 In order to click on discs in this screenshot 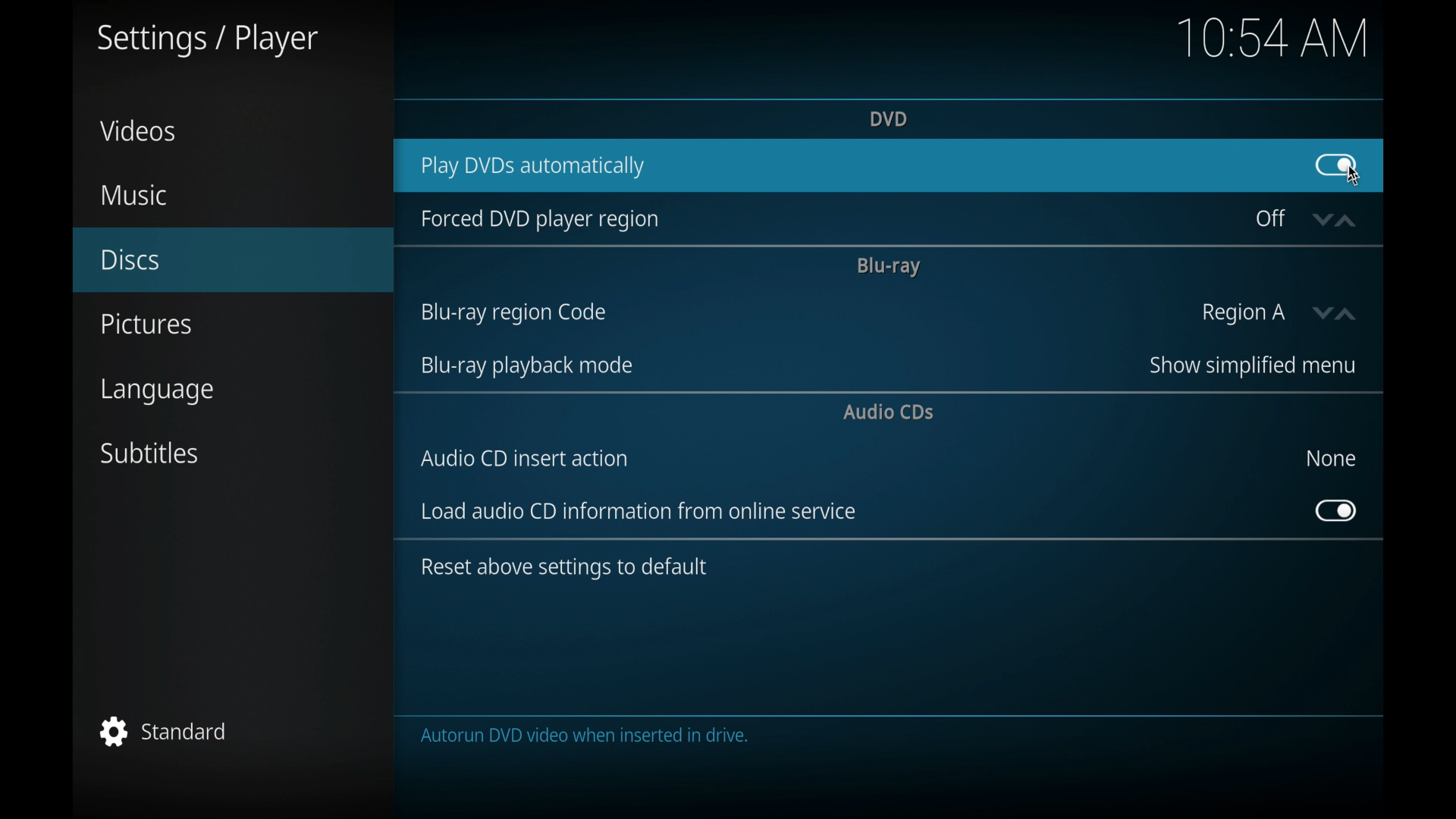, I will do `click(130, 260)`.